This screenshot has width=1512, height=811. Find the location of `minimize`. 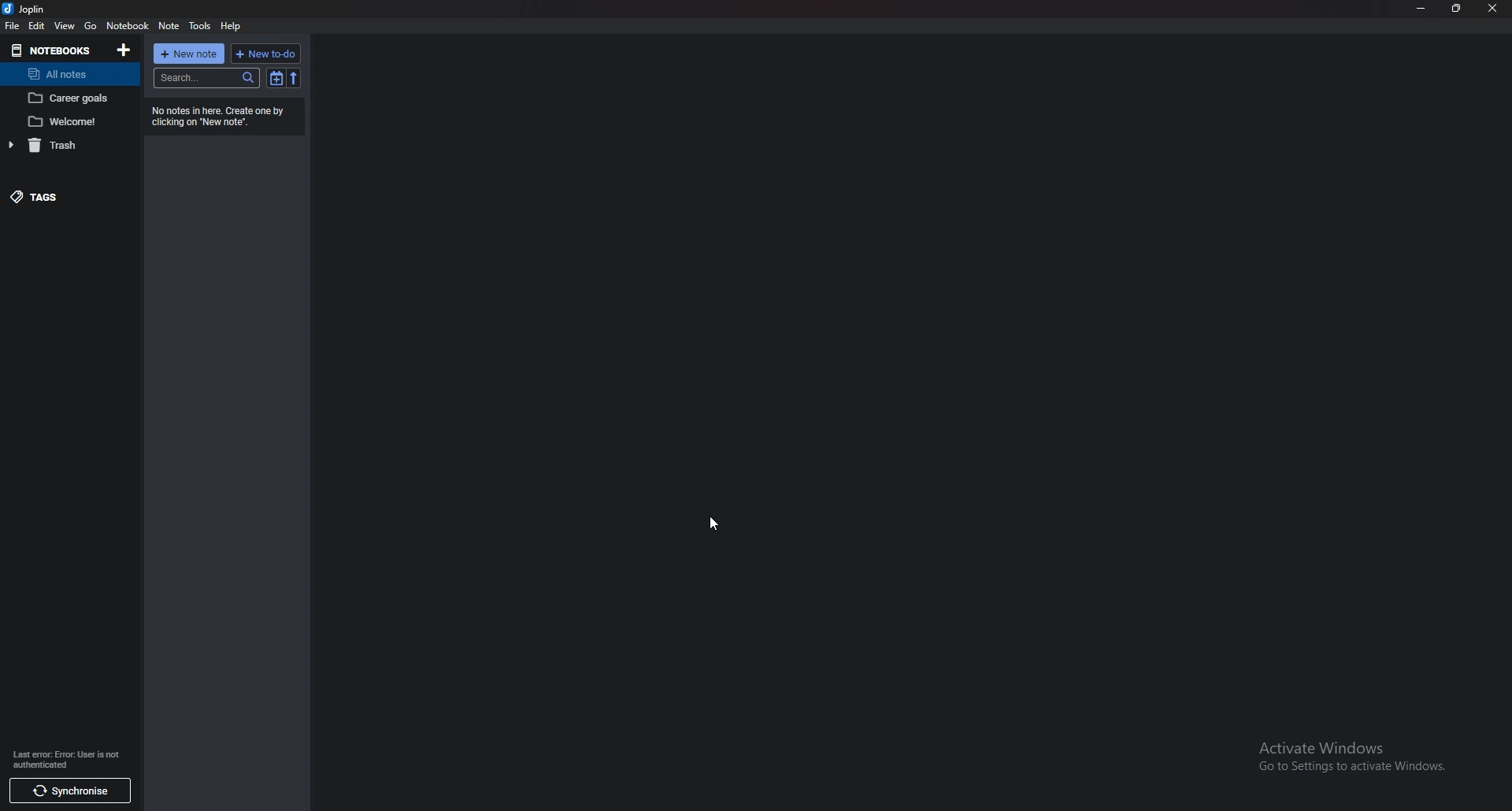

minimize is located at coordinates (1422, 9).